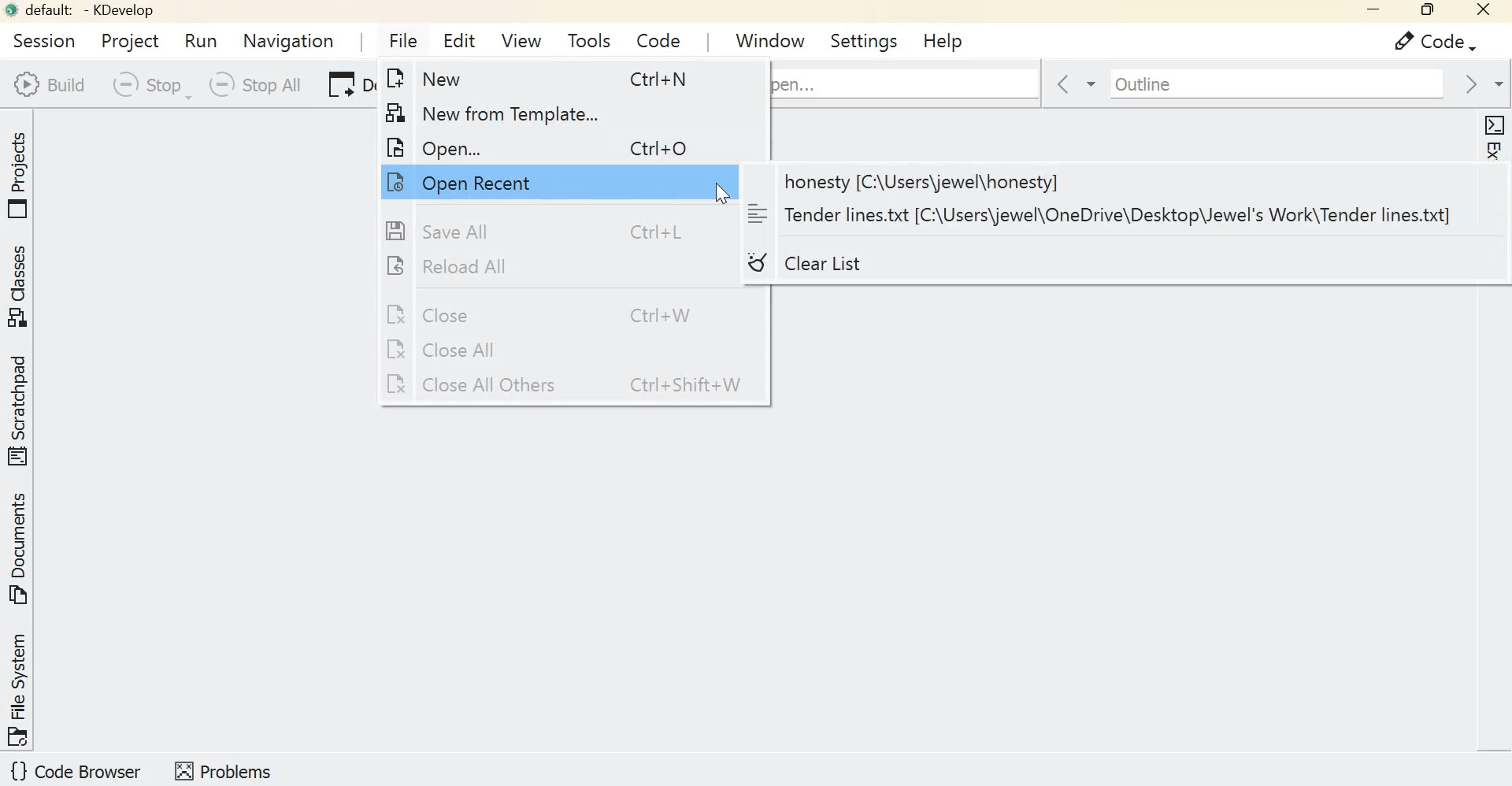 The image size is (1512, 786). Describe the element at coordinates (77, 773) in the screenshot. I see `Toggle 'code browser' tool view` at that location.